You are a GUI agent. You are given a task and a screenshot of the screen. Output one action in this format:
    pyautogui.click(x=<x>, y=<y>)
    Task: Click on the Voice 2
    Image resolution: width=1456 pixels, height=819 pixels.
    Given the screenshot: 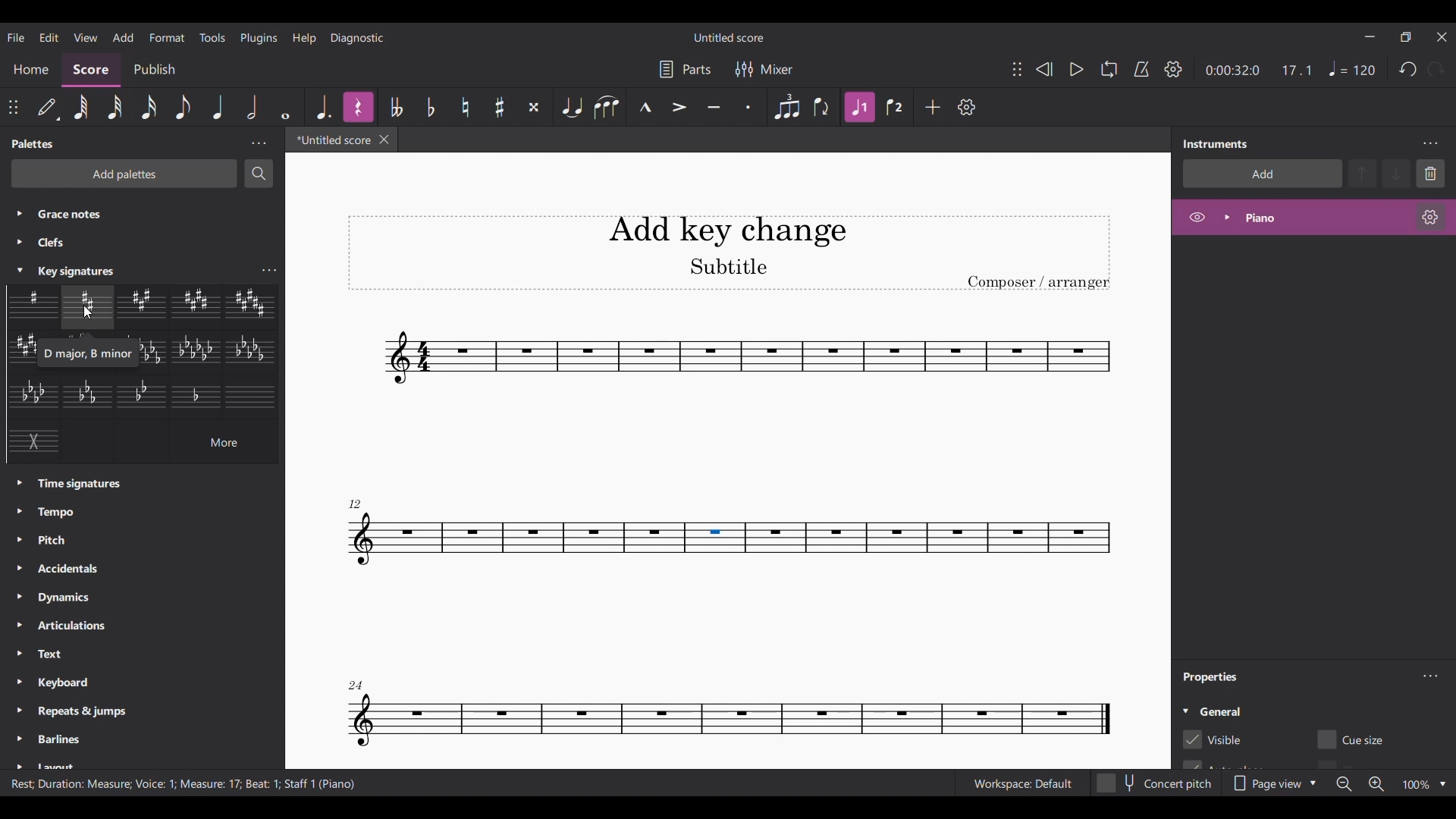 What is the action you would take?
    pyautogui.click(x=894, y=107)
    